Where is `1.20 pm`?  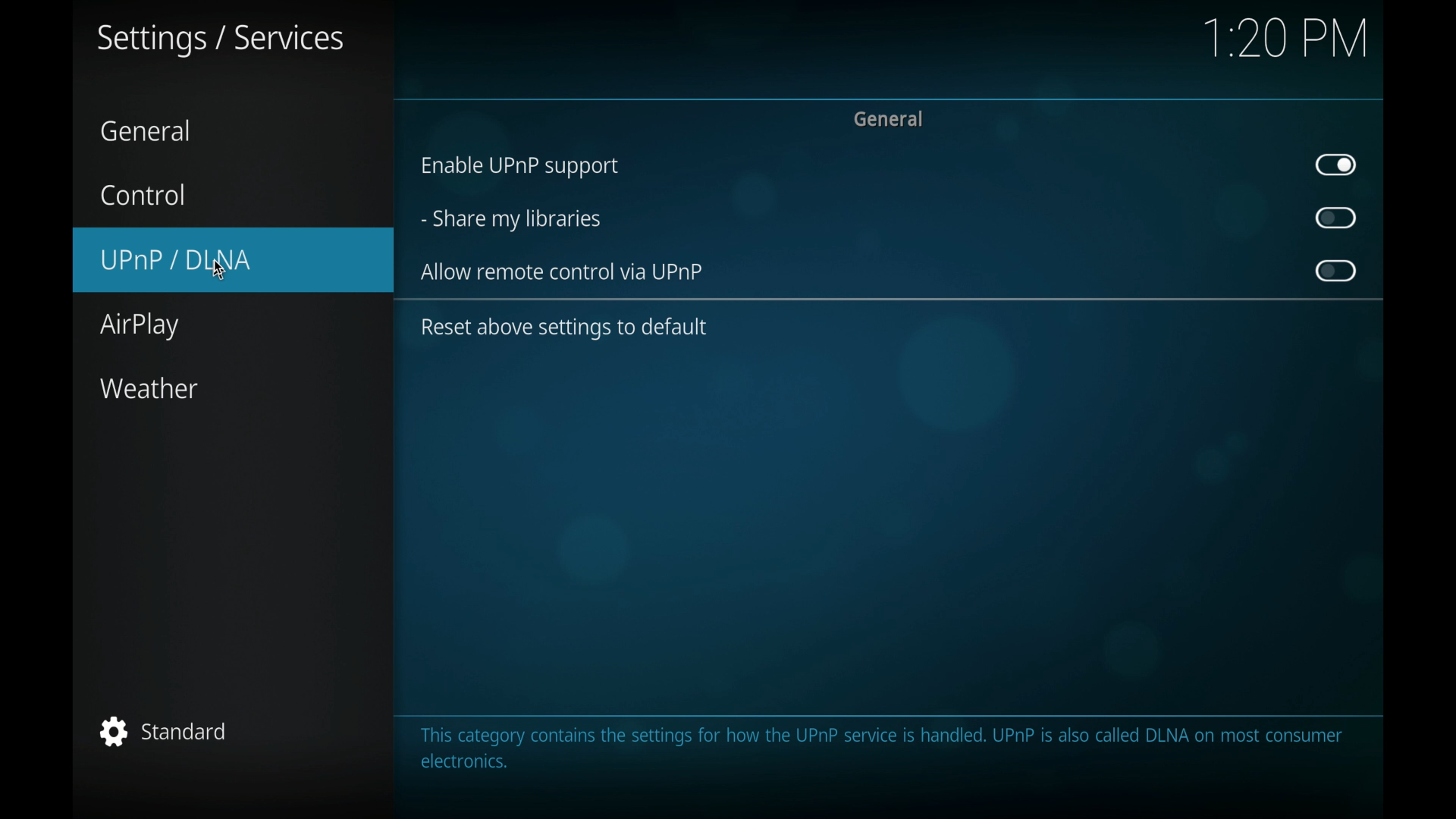 1.20 pm is located at coordinates (1287, 40).